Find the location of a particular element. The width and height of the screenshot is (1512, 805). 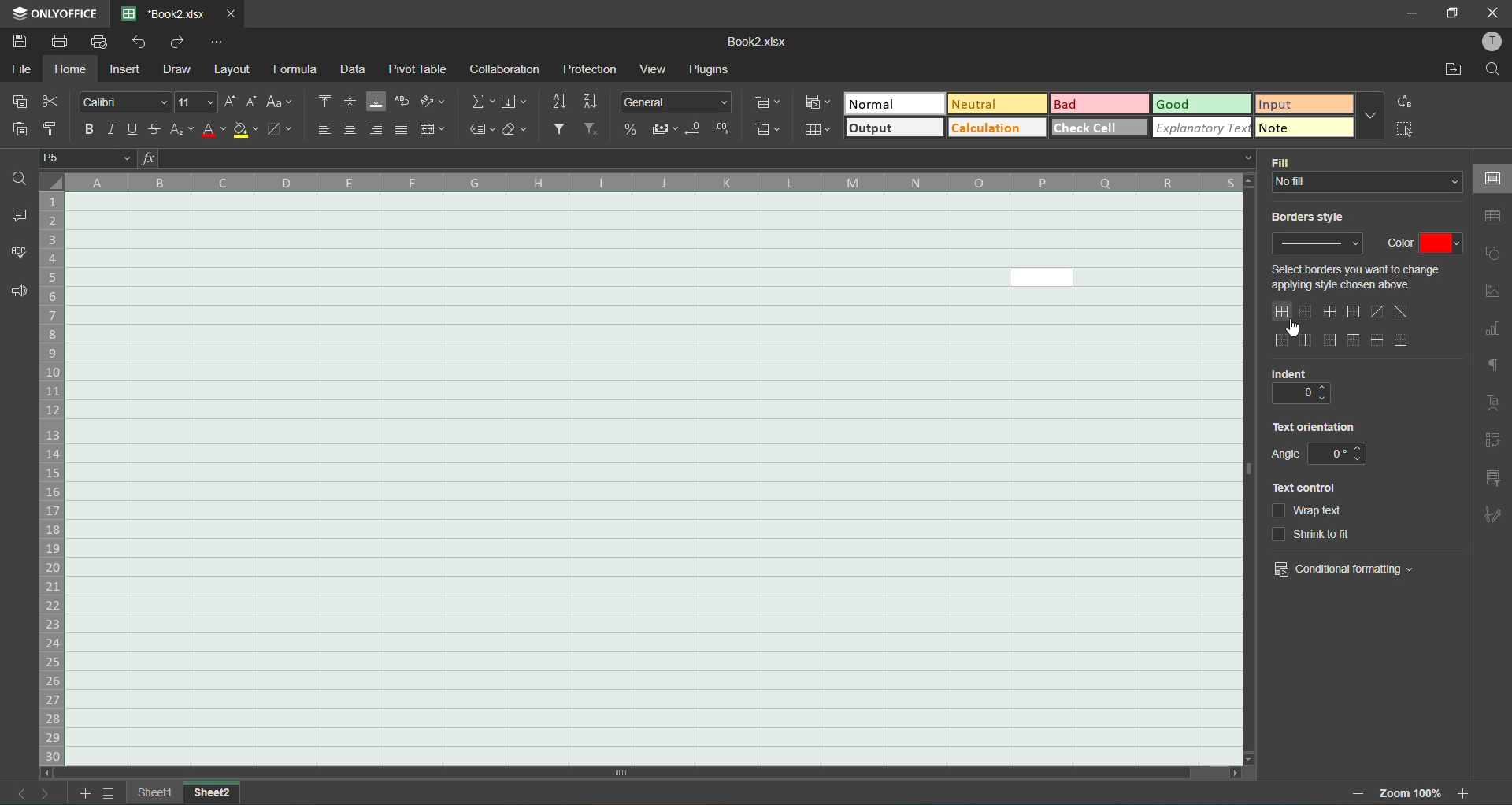

horizontal line only is located at coordinates (1377, 339).